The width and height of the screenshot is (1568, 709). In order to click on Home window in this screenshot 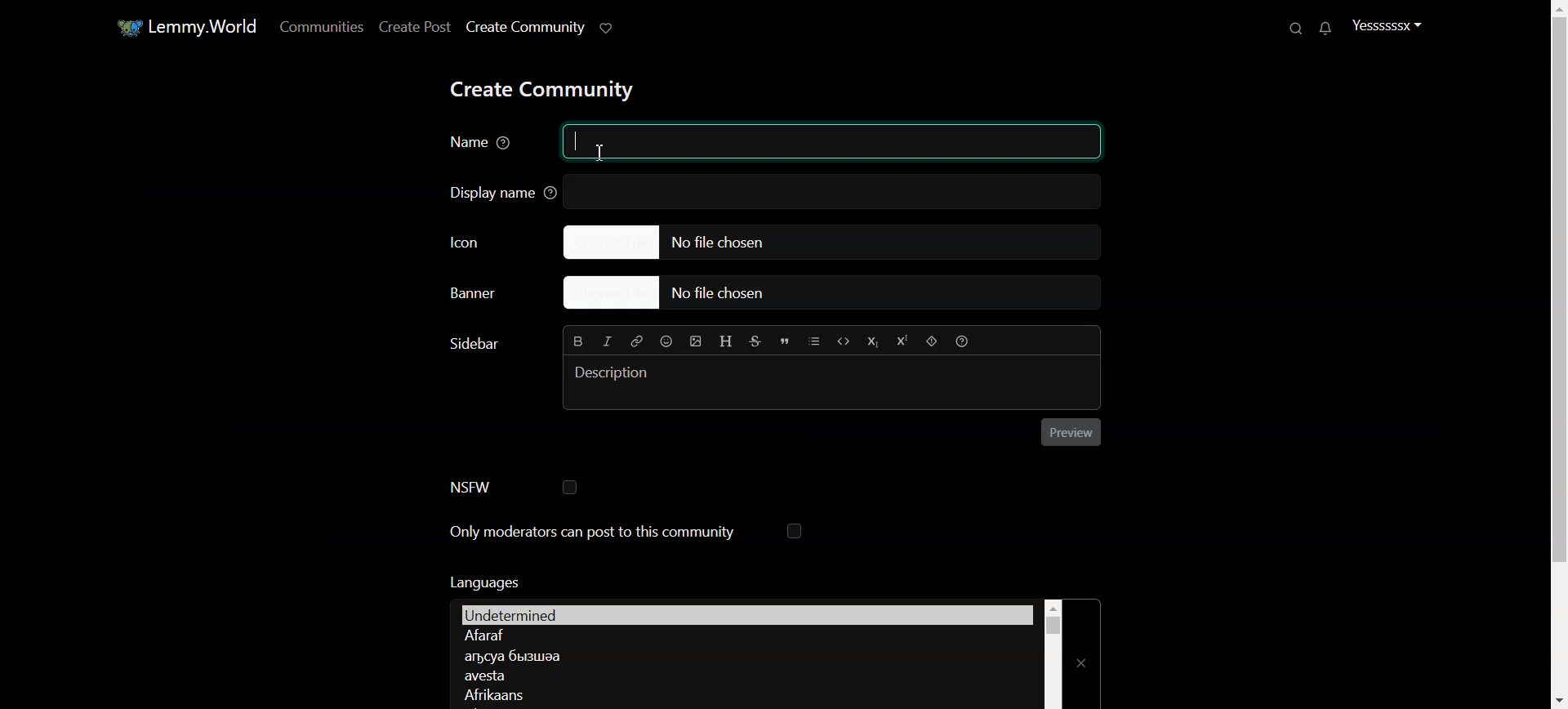, I will do `click(185, 25)`.